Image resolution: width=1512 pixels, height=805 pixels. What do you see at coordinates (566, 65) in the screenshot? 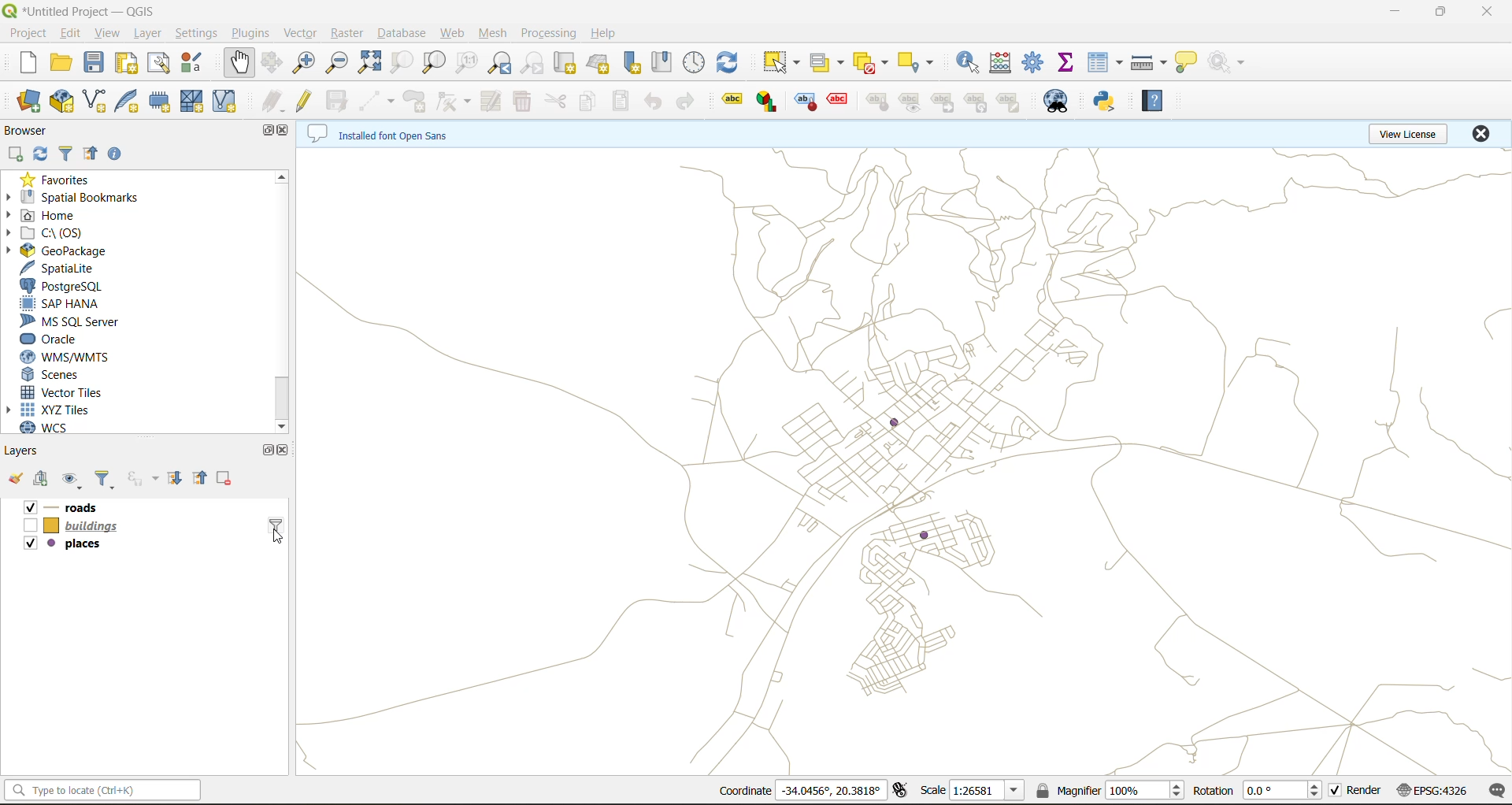
I see `new map view` at bounding box center [566, 65].